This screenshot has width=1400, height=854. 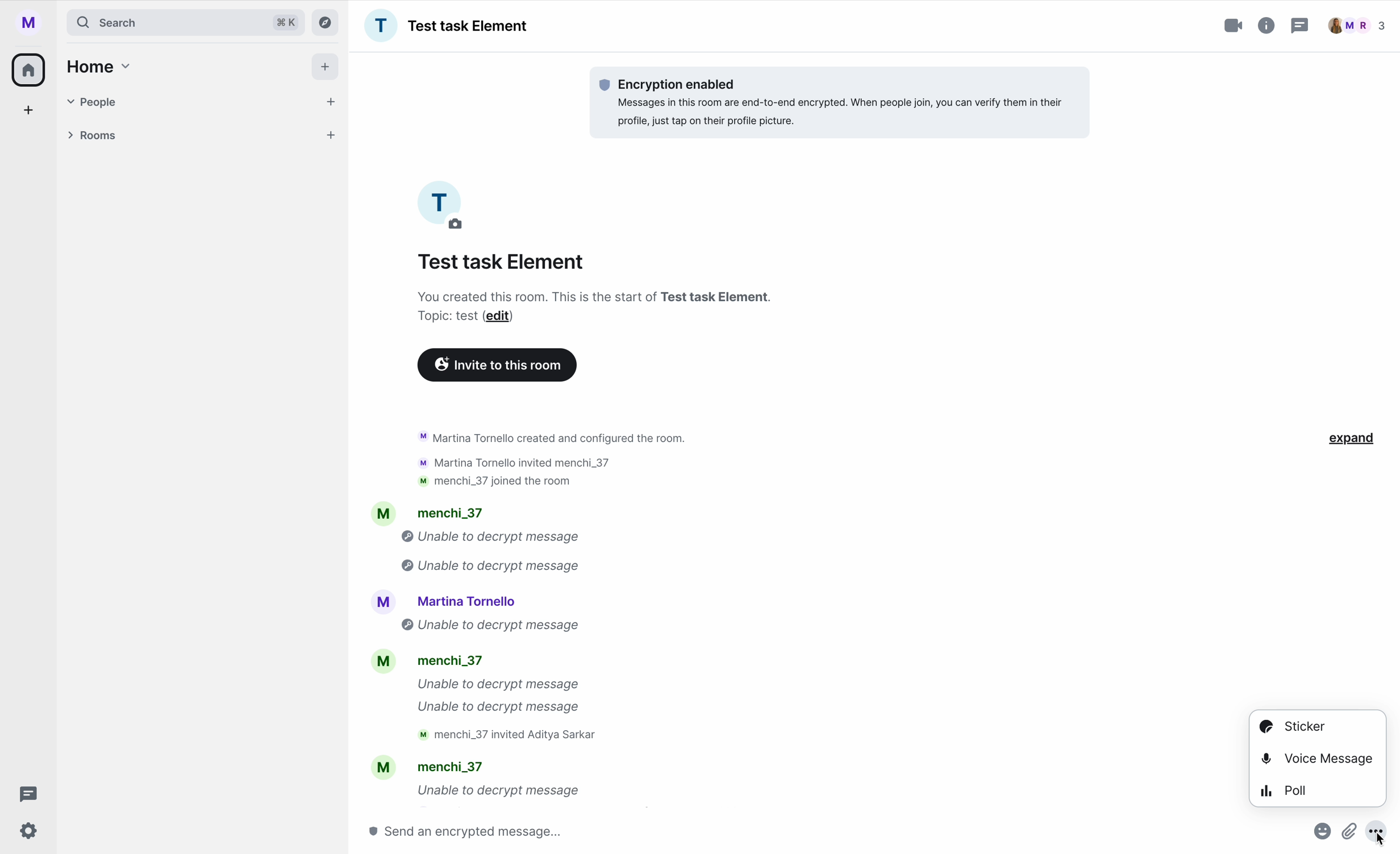 What do you see at coordinates (30, 113) in the screenshot?
I see `add` at bounding box center [30, 113].